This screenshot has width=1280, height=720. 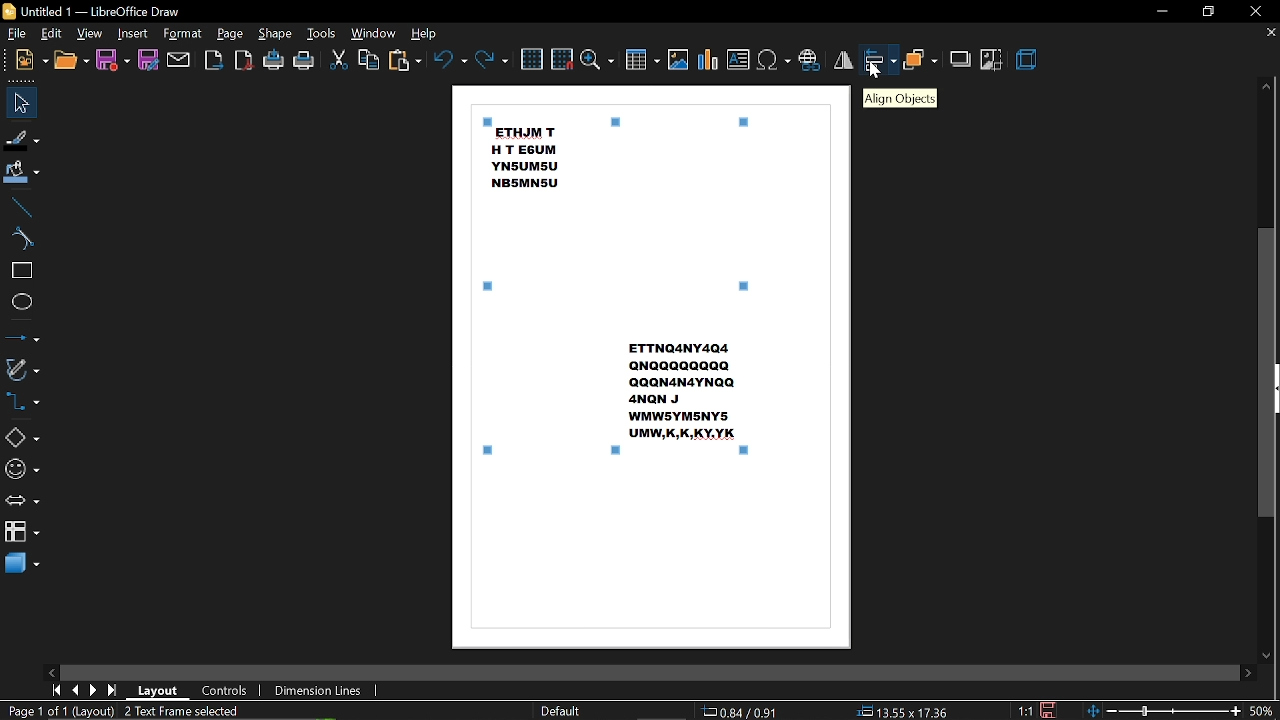 I want to click on previous page, so click(x=77, y=690).